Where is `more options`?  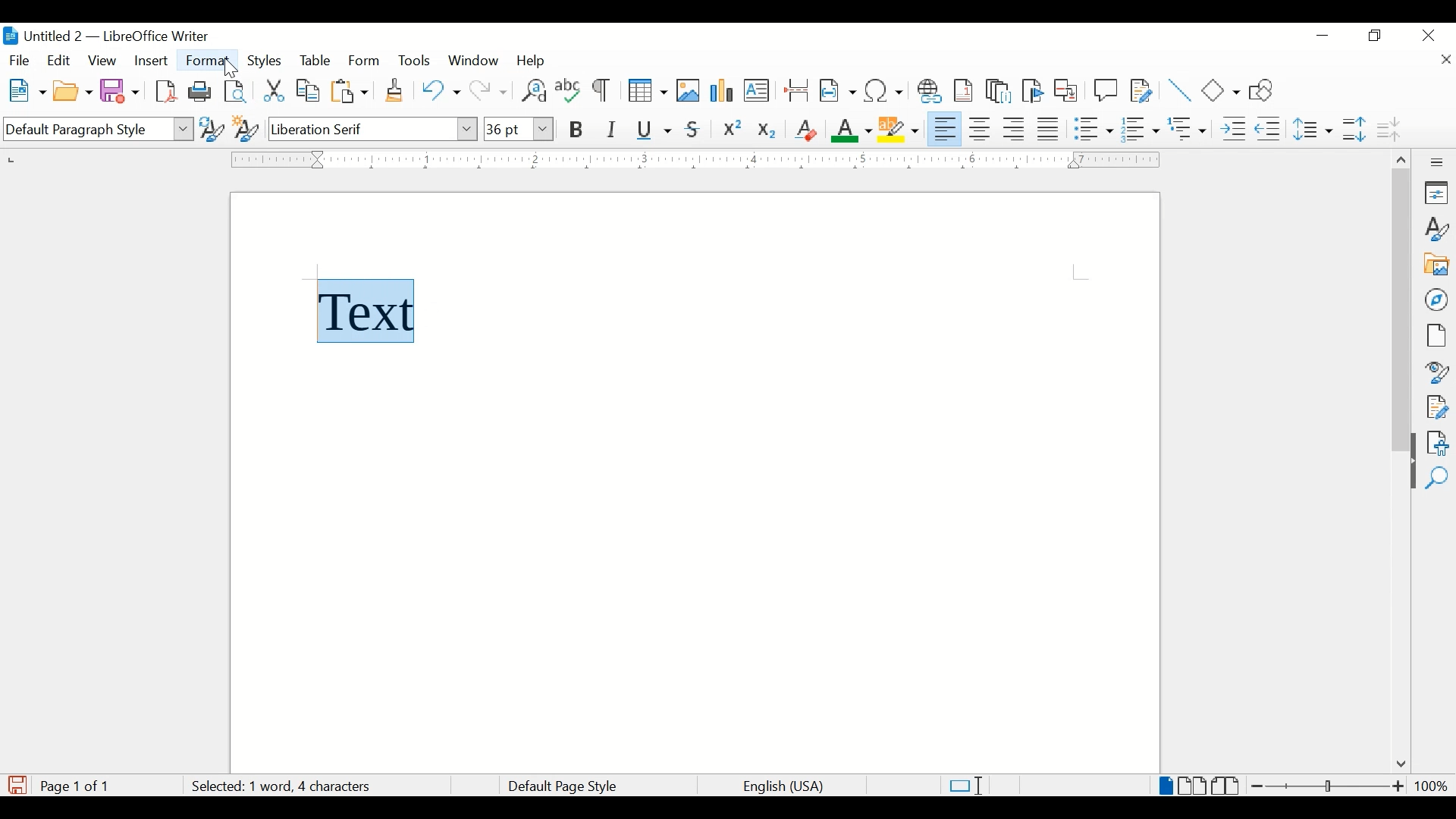
more options is located at coordinates (1439, 162).